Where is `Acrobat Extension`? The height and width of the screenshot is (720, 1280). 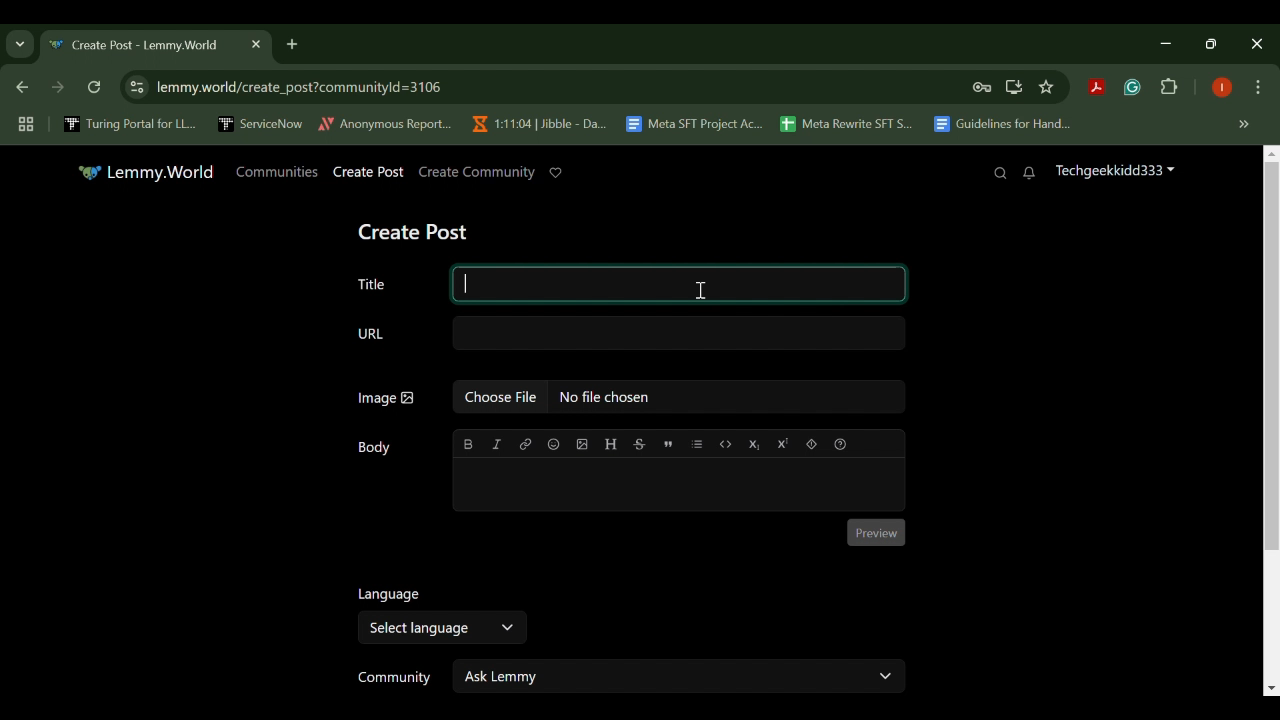 Acrobat Extension is located at coordinates (1096, 88).